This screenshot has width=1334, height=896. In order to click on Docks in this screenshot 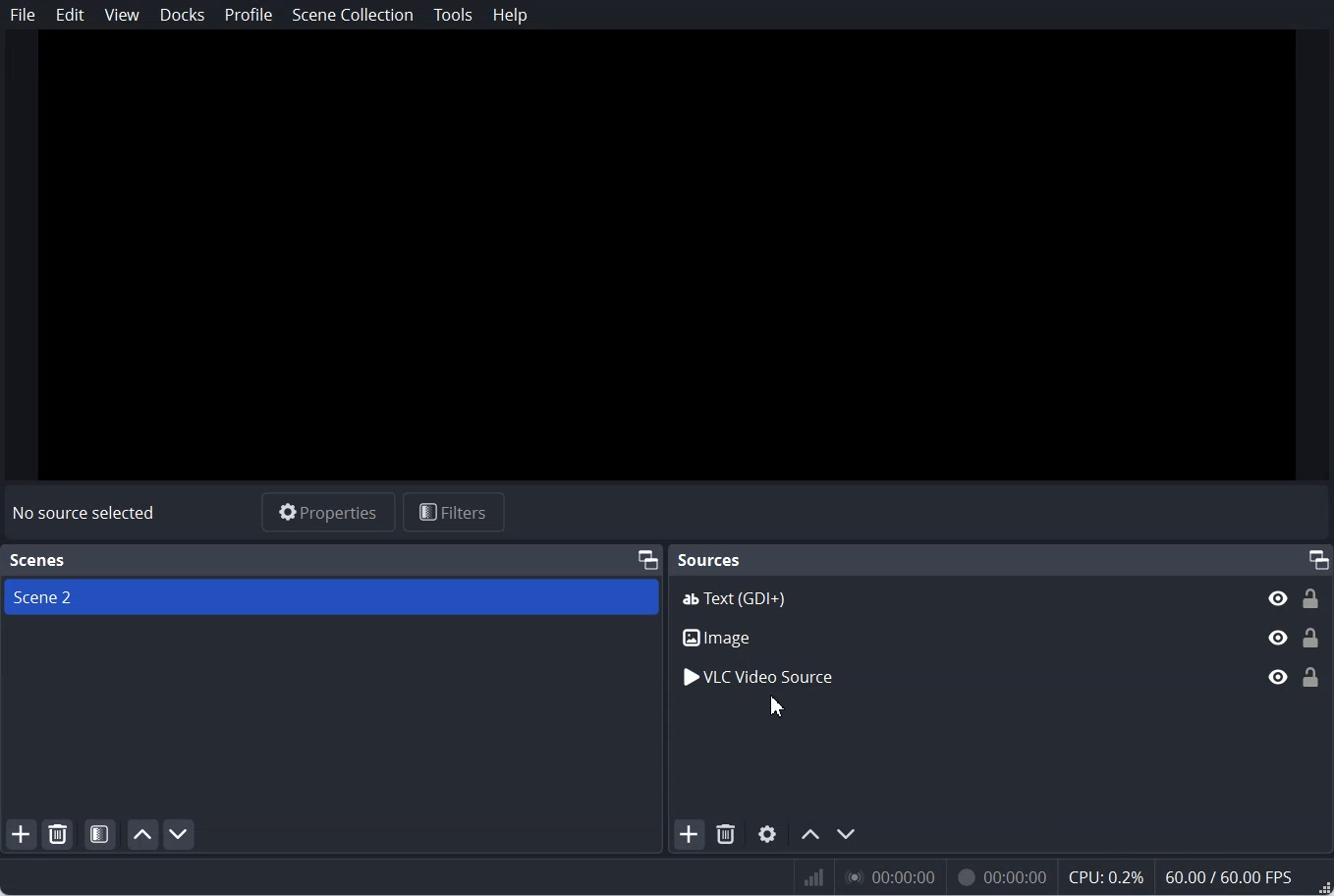, I will do `click(183, 15)`.